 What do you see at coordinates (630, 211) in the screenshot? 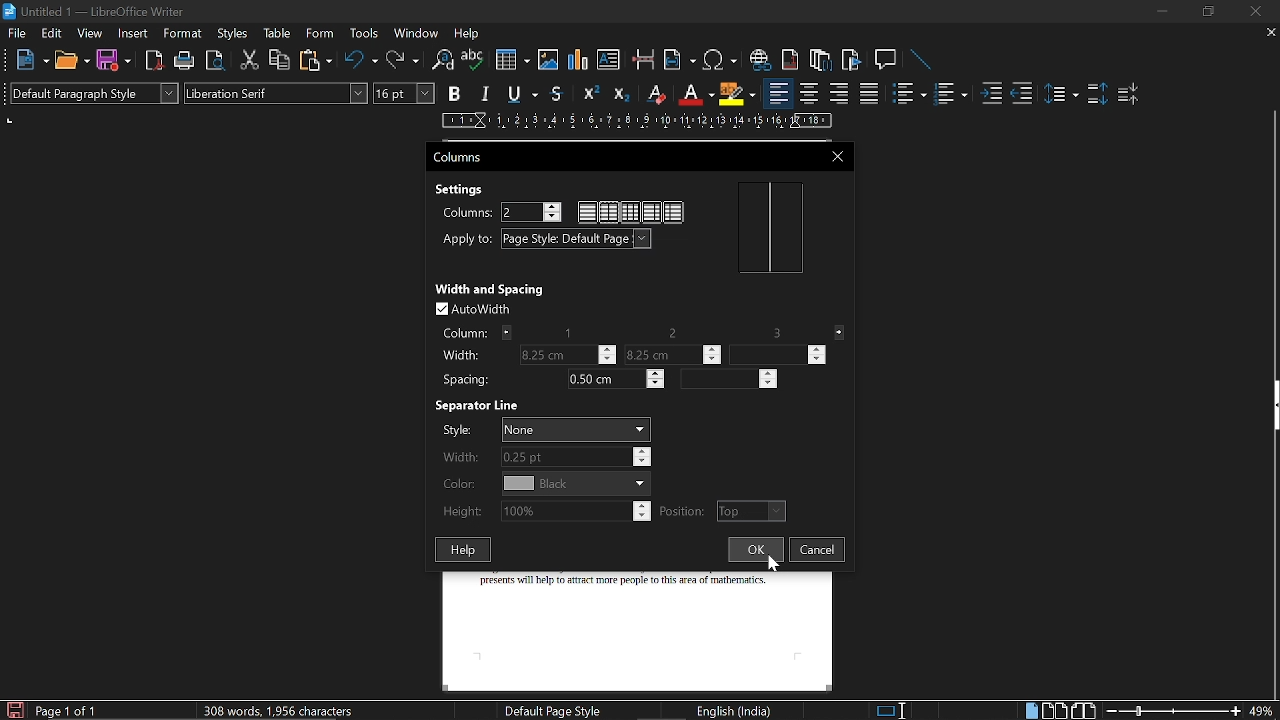
I see `Multiple column style` at bounding box center [630, 211].